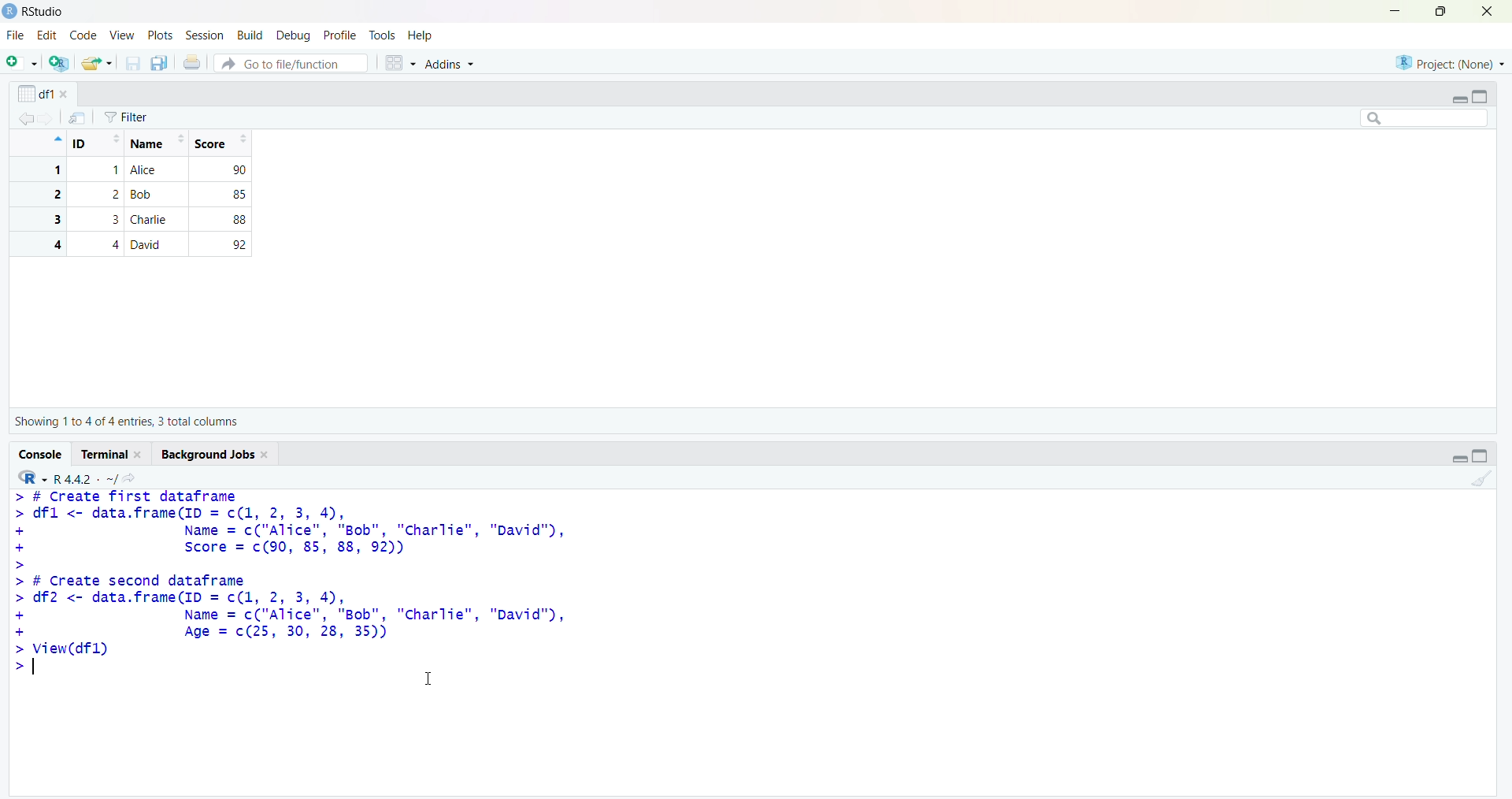  What do you see at coordinates (1450, 62) in the screenshot?
I see `project (none)` at bounding box center [1450, 62].